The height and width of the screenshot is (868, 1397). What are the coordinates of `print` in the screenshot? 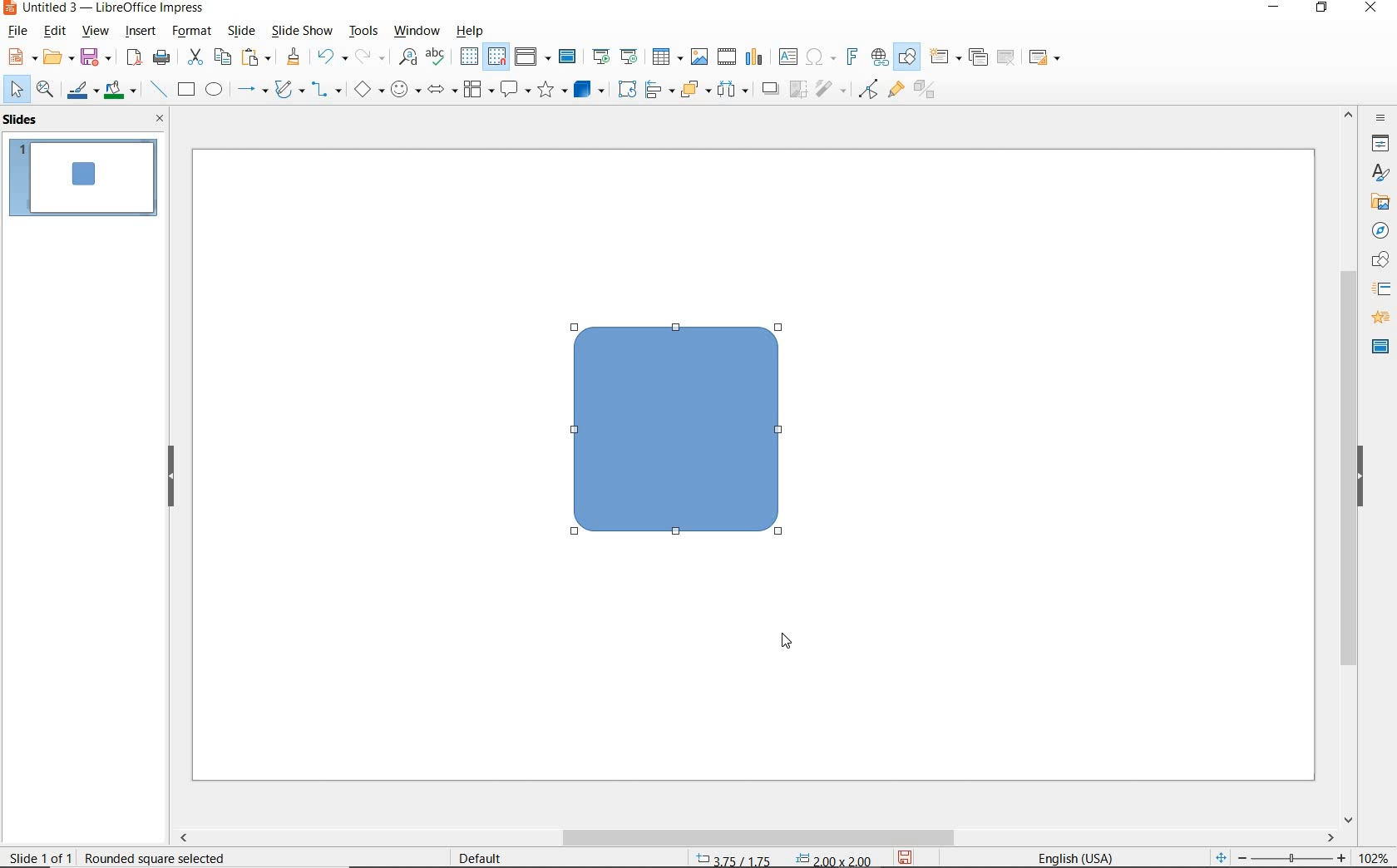 It's located at (163, 57).